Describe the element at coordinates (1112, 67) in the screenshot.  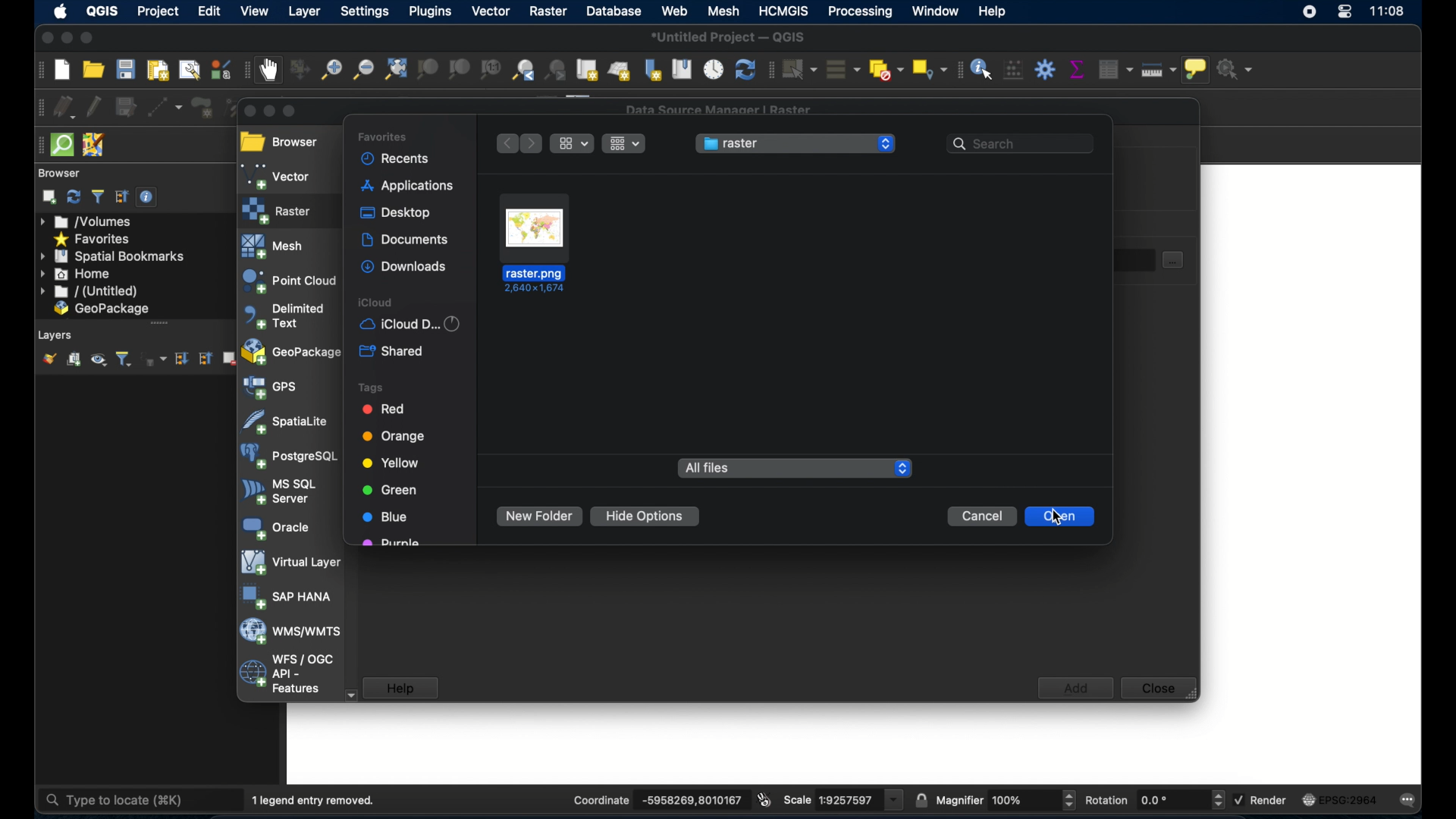
I see `open attribute table` at that location.